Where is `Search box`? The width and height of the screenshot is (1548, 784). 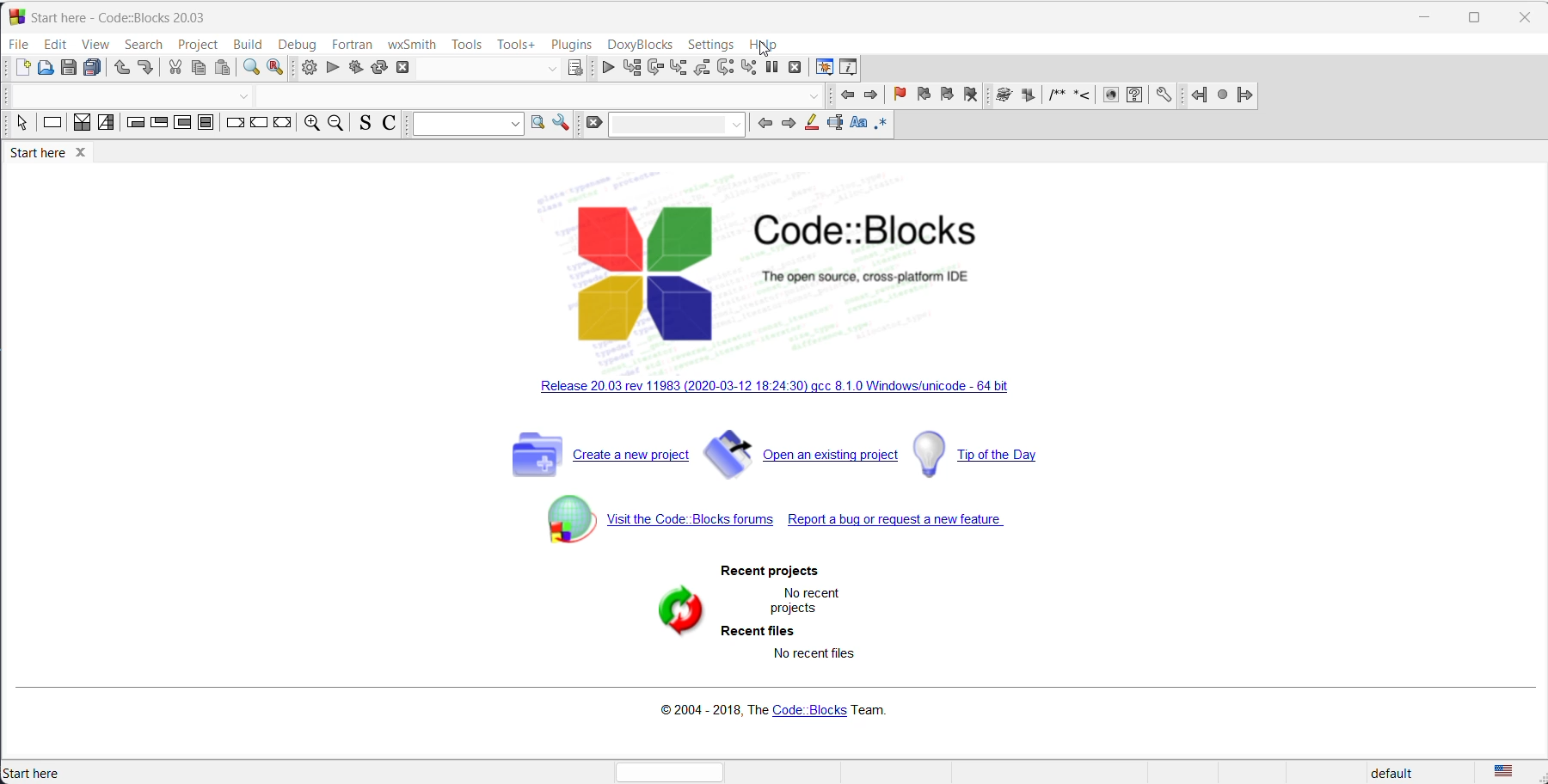 Search box is located at coordinates (465, 126).